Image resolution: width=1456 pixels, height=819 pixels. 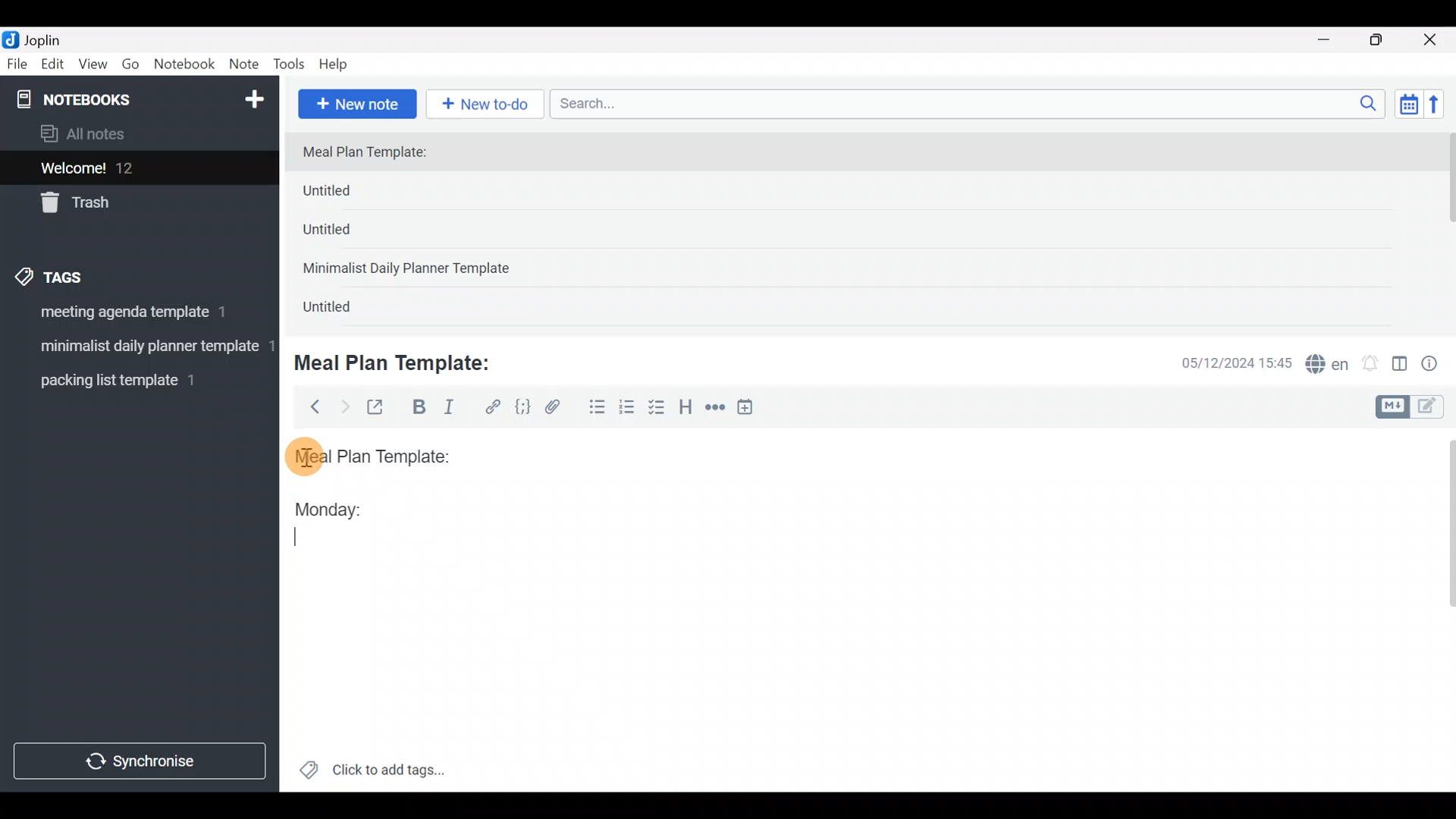 I want to click on Insert time, so click(x=752, y=409).